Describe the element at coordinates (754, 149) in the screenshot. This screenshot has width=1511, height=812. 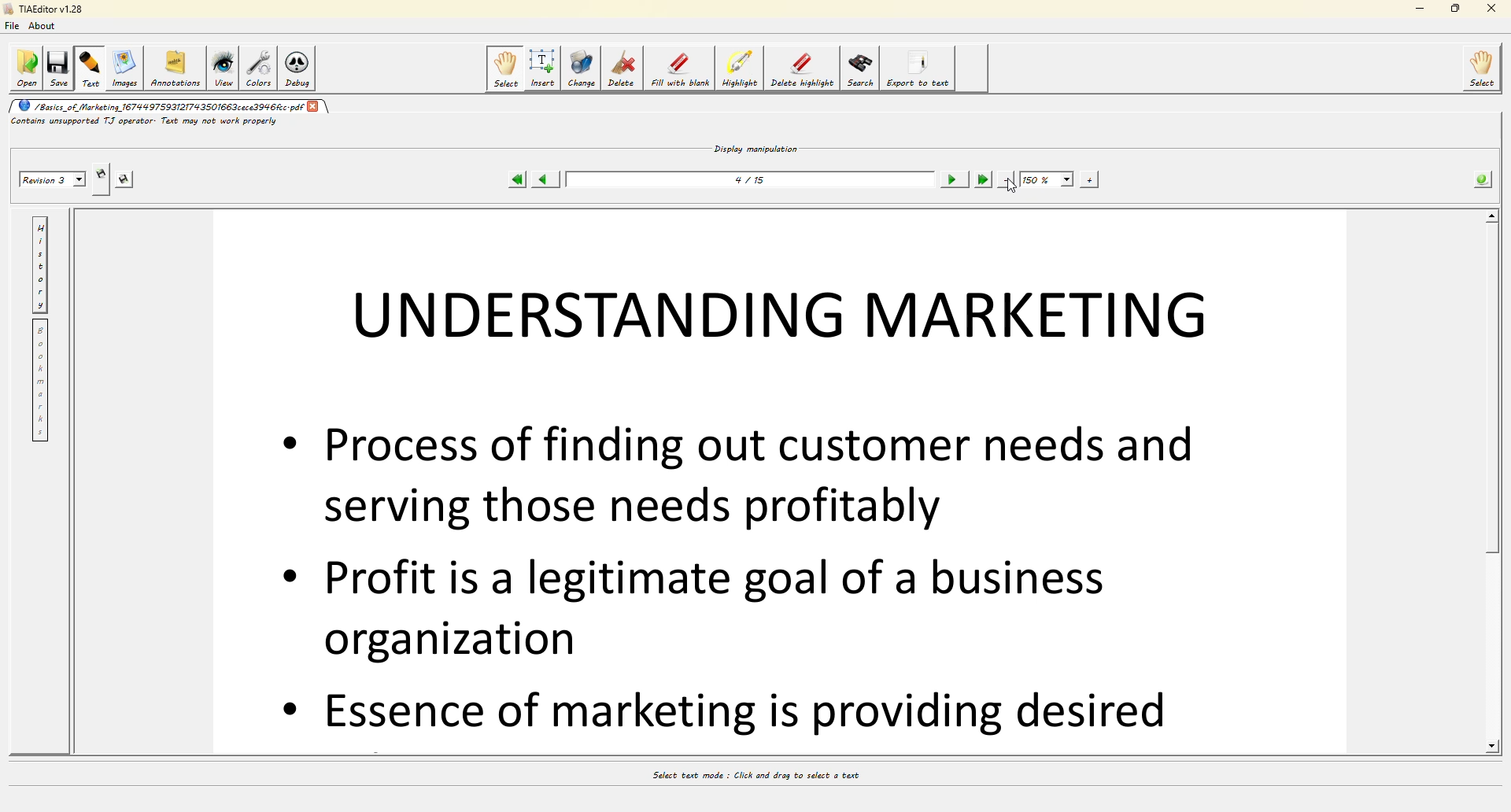
I see `display manipulation` at that location.